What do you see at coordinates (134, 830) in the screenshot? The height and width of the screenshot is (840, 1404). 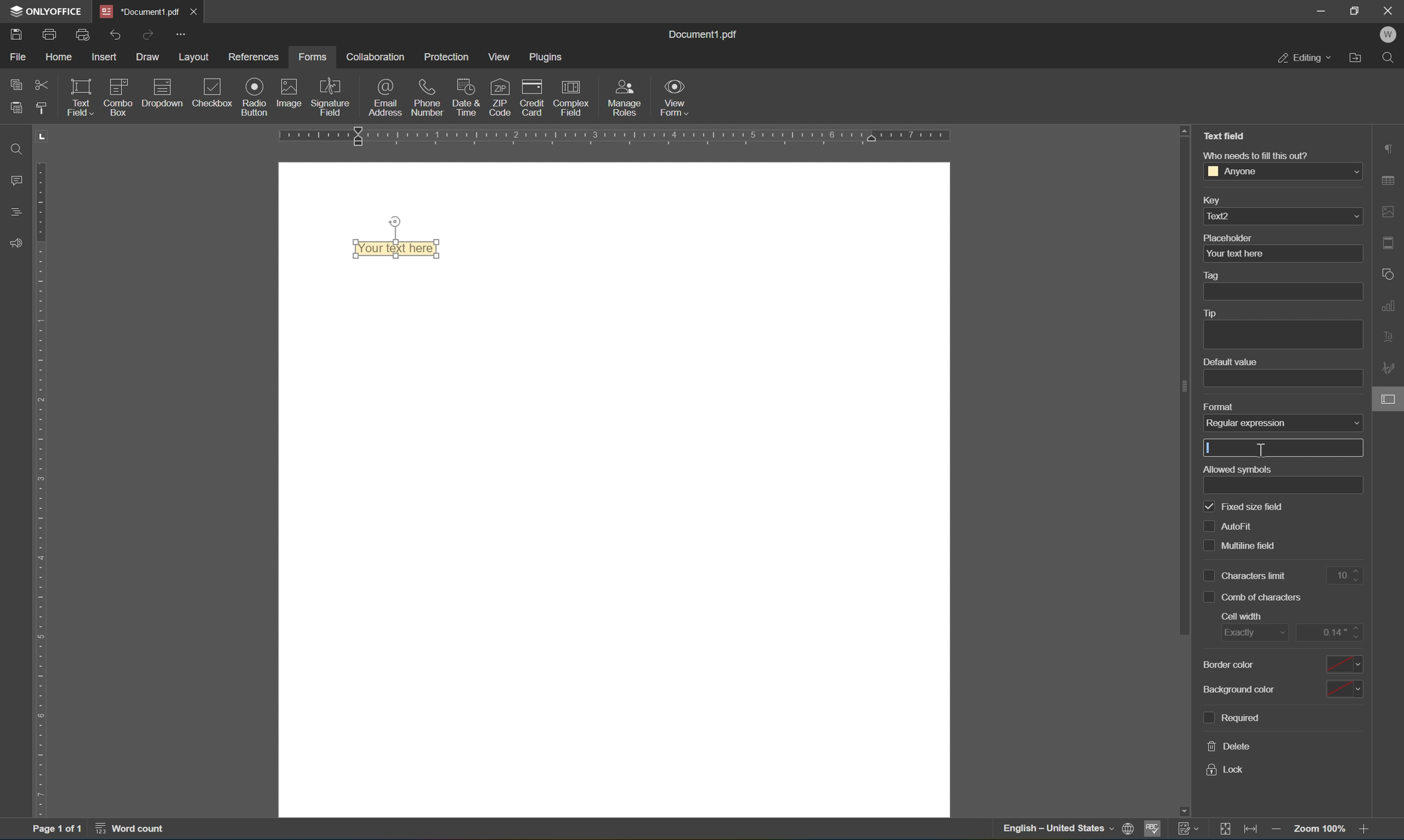 I see `word count` at bounding box center [134, 830].